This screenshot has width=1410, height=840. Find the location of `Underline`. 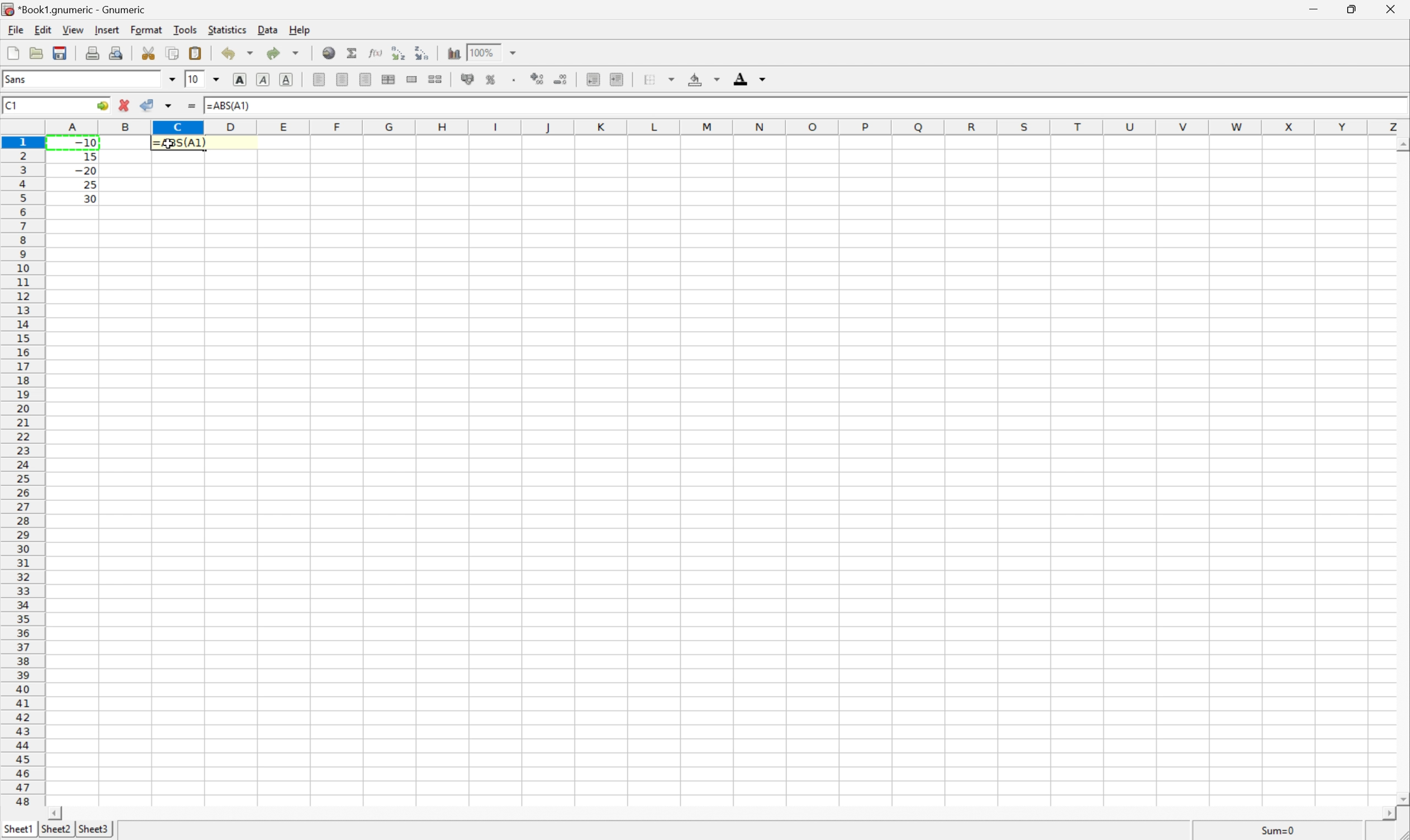

Underline is located at coordinates (288, 78).